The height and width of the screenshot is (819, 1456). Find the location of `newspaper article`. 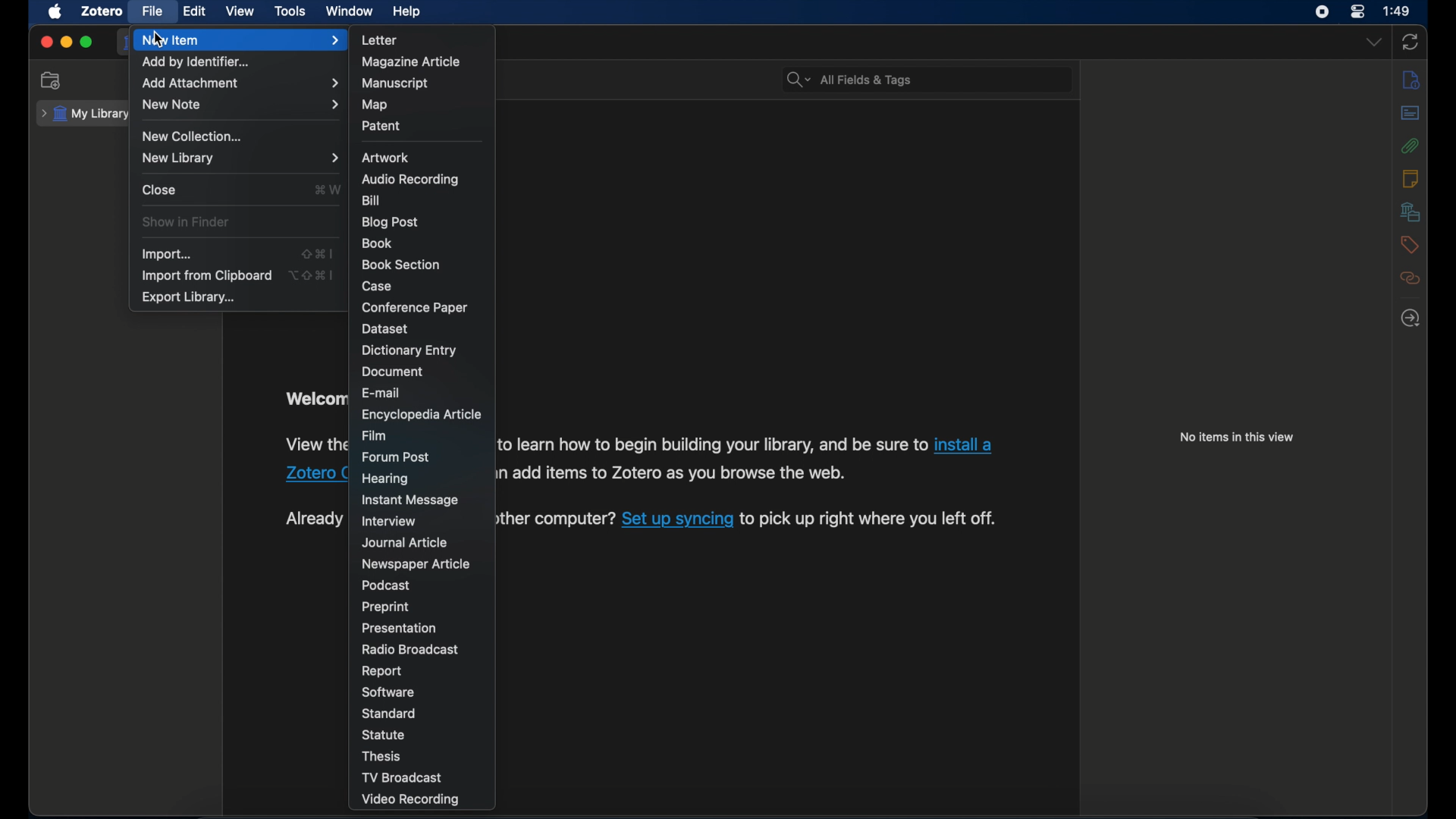

newspaper article is located at coordinates (418, 564).